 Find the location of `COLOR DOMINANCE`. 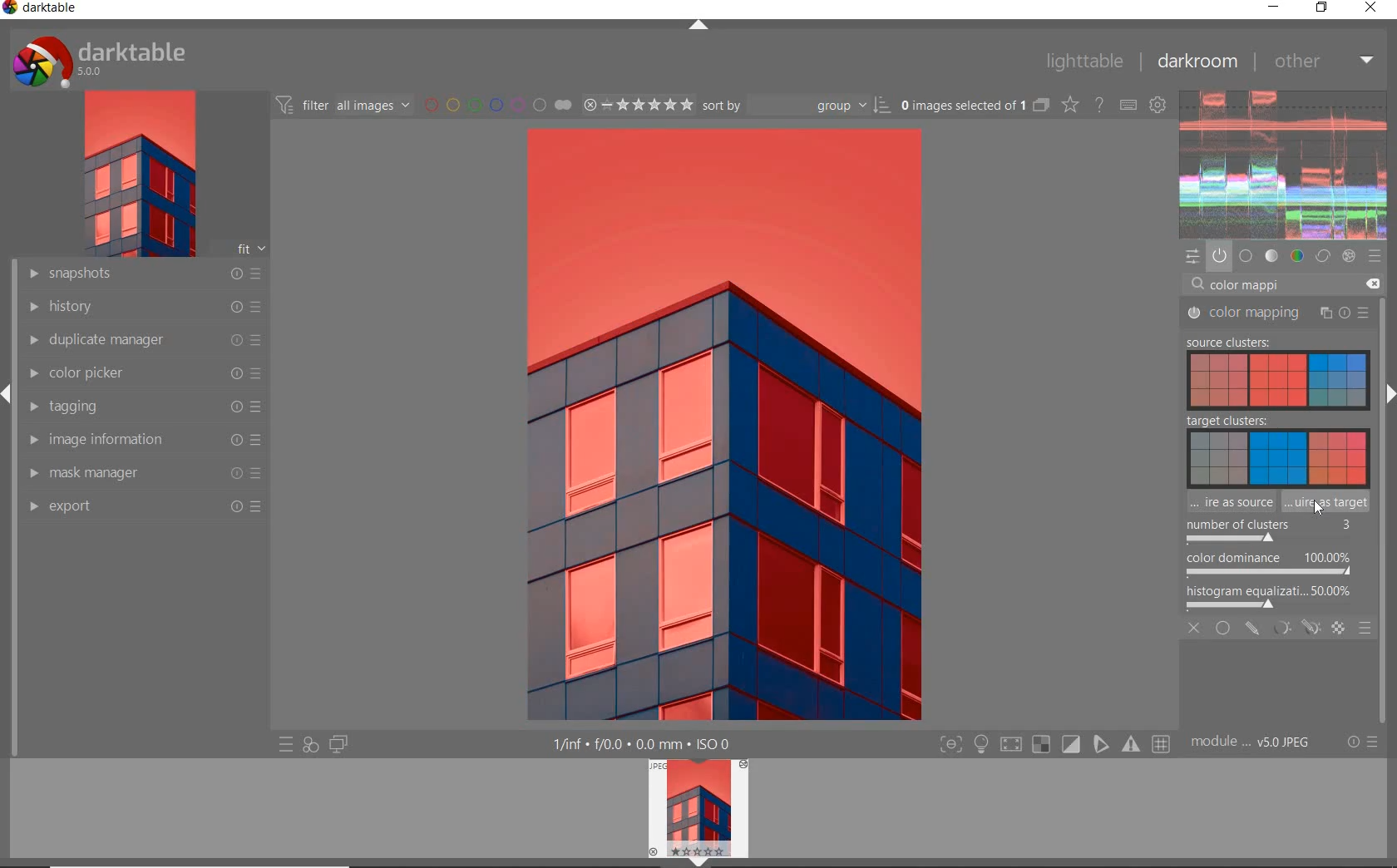

COLOR DOMINANCE is located at coordinates (1269, 565).